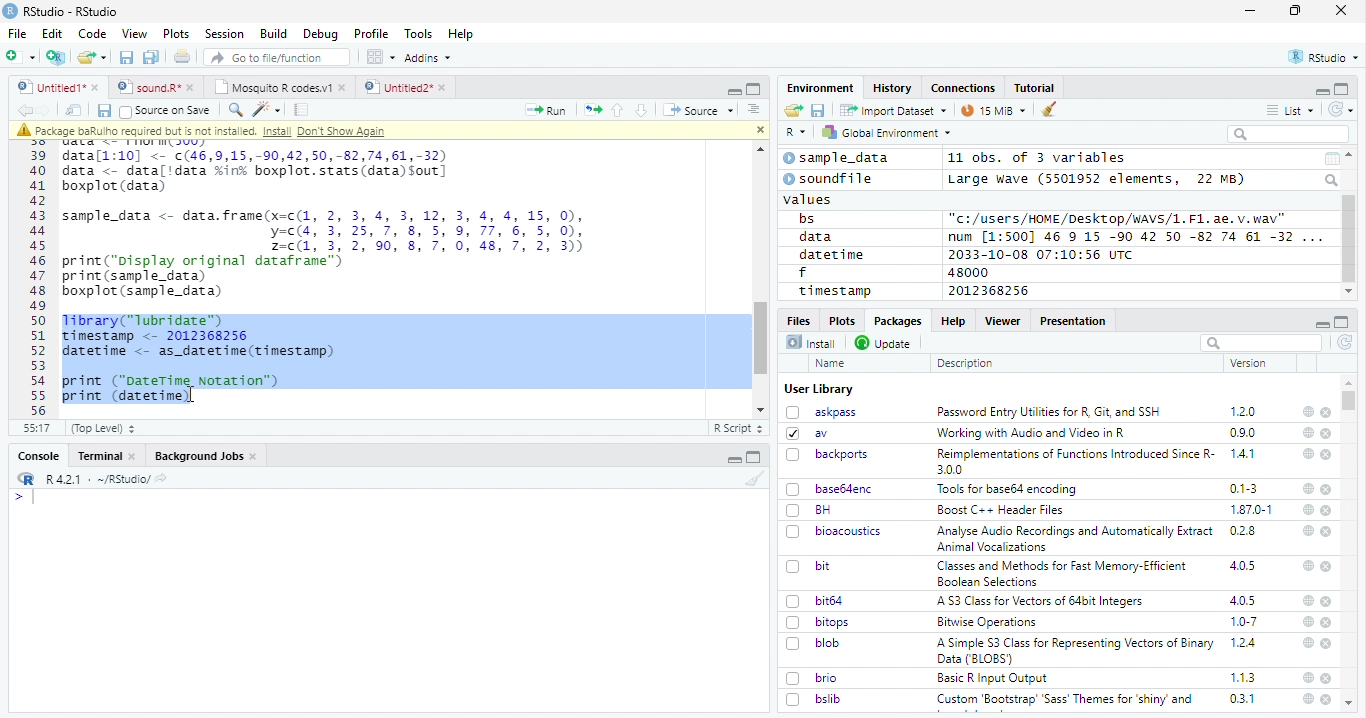 The height and width of the screenshot is (718, 1366). Describe the element at coordinates (1327, 455) in the screenshot. I see `close` at that location.